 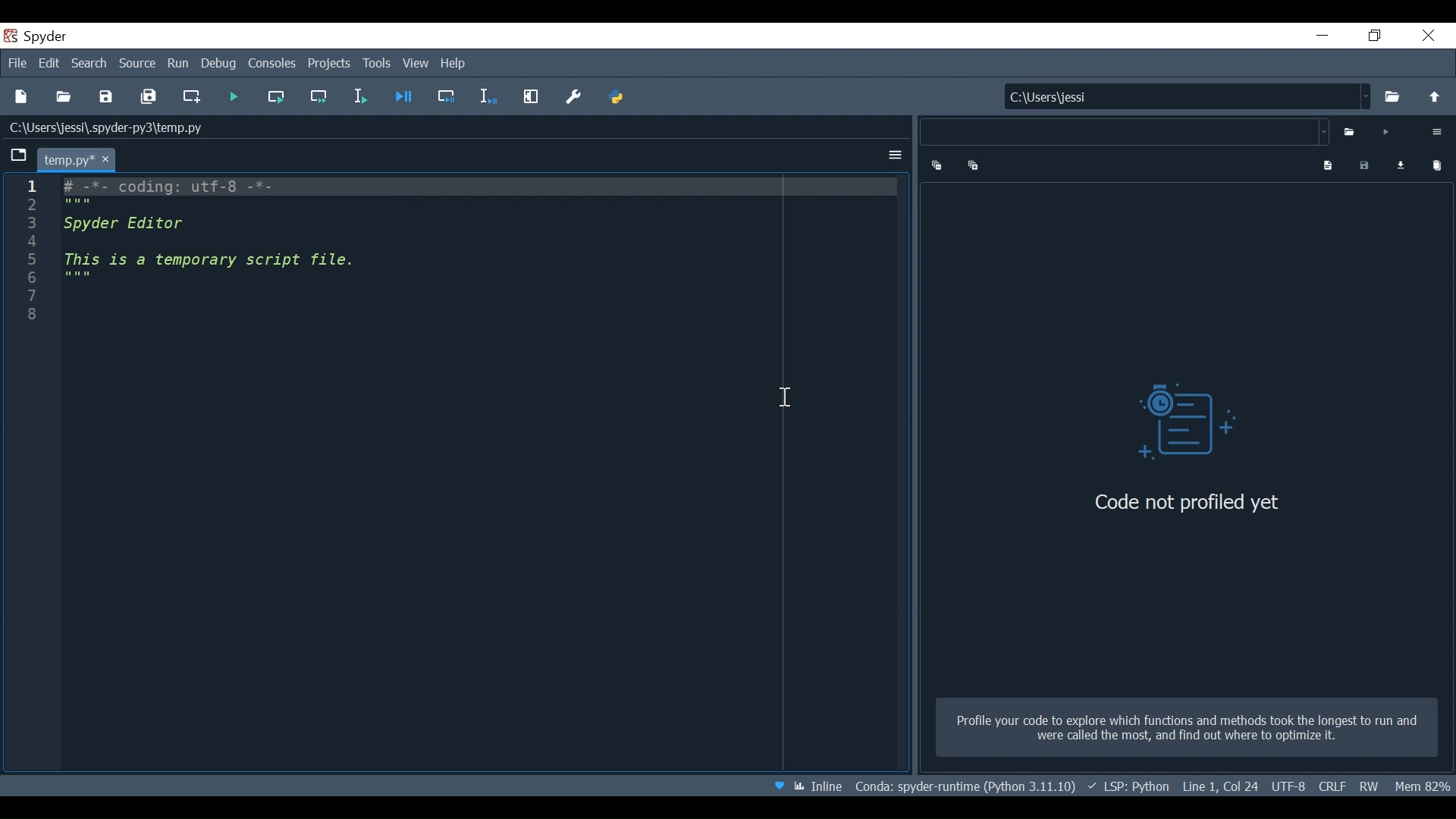 What do you see at coordinates (1373, 36) in the screenshot?
I see `Restore` at bounding box center [1373, 36].